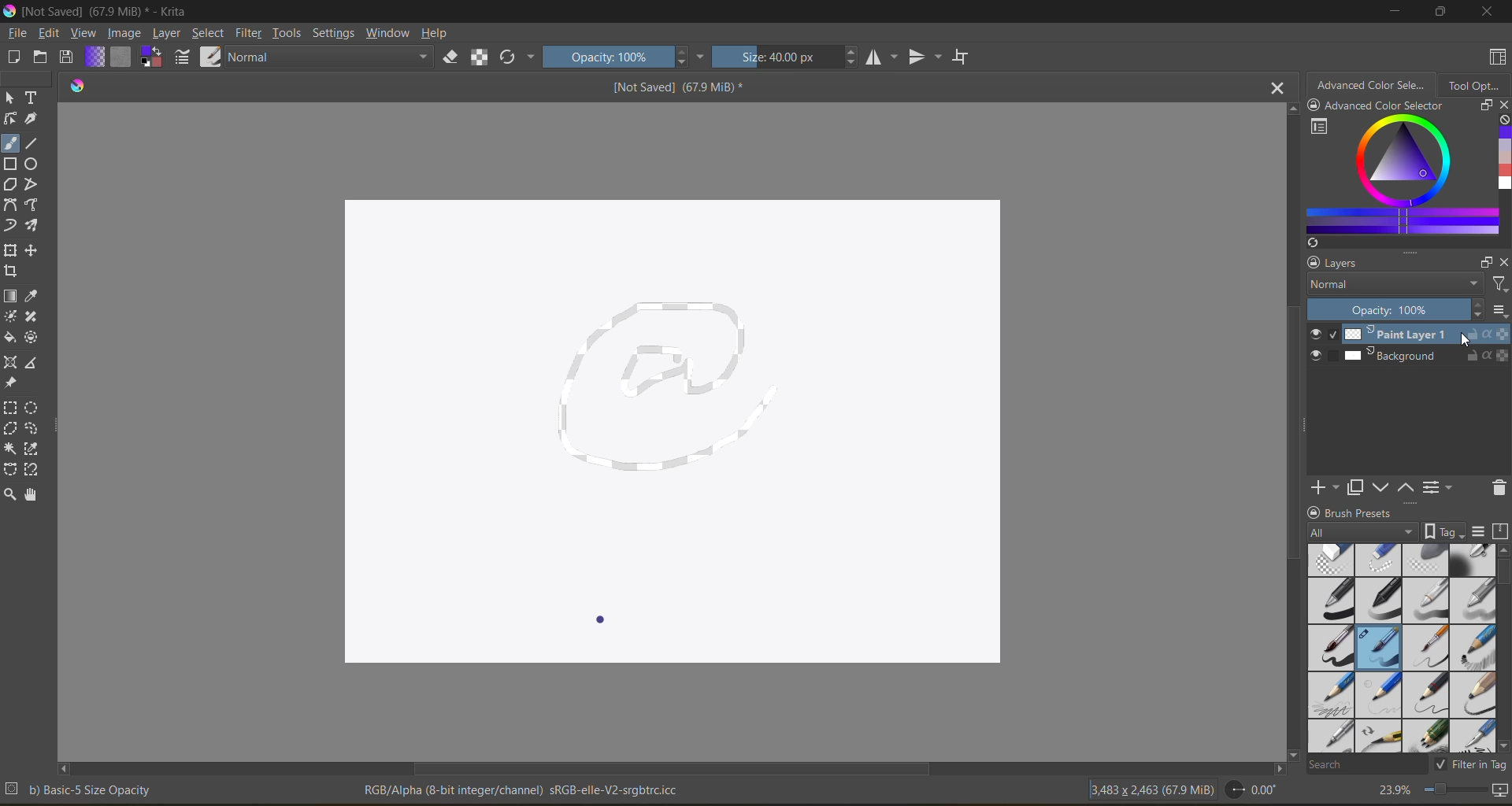 The image size is (1512, 806). I want to click on grey pen, so click(1473, 601).